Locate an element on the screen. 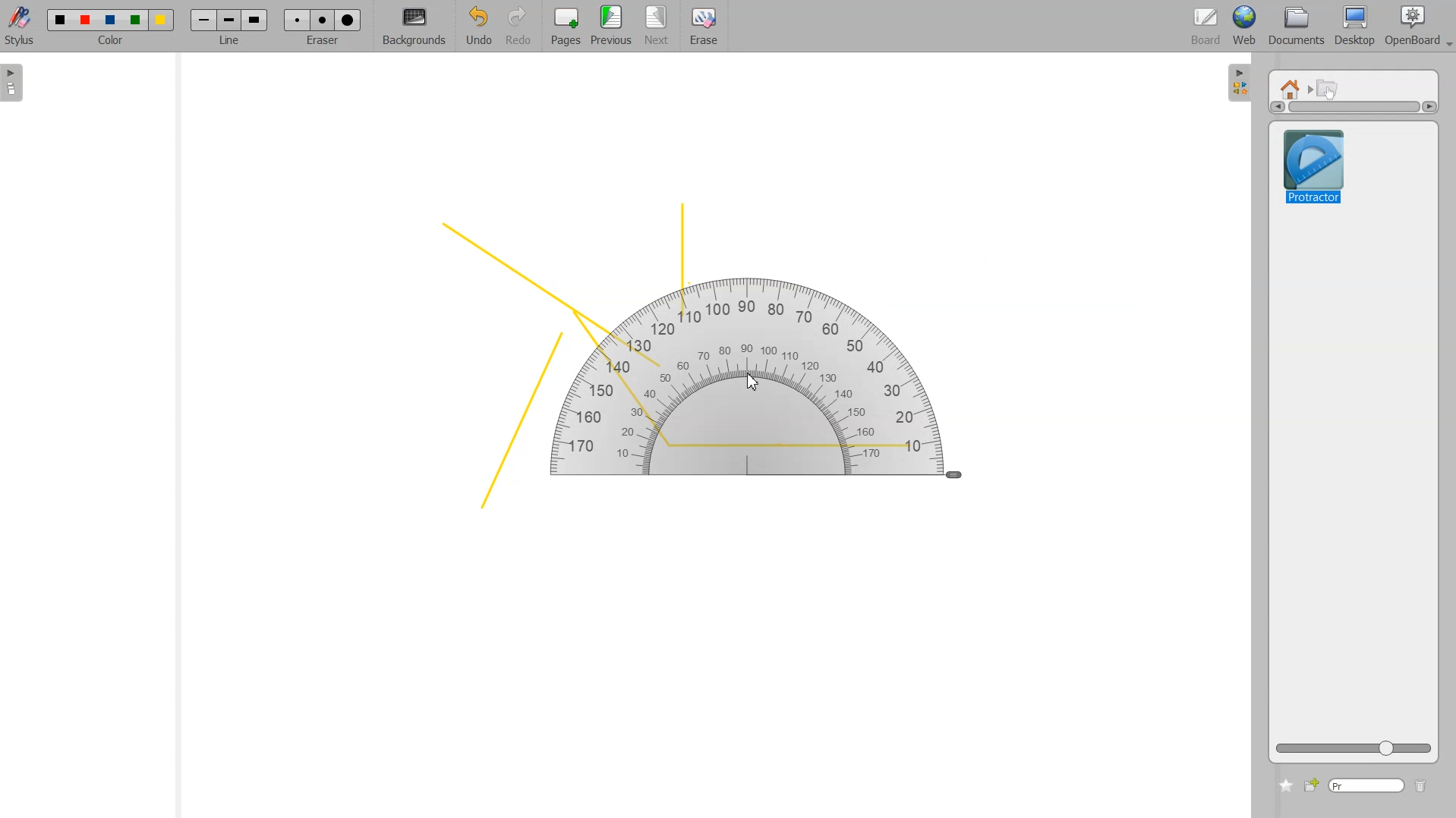 The image size is (1456, 818). ZOOM Icon  is located at coordinates (1354, 748).